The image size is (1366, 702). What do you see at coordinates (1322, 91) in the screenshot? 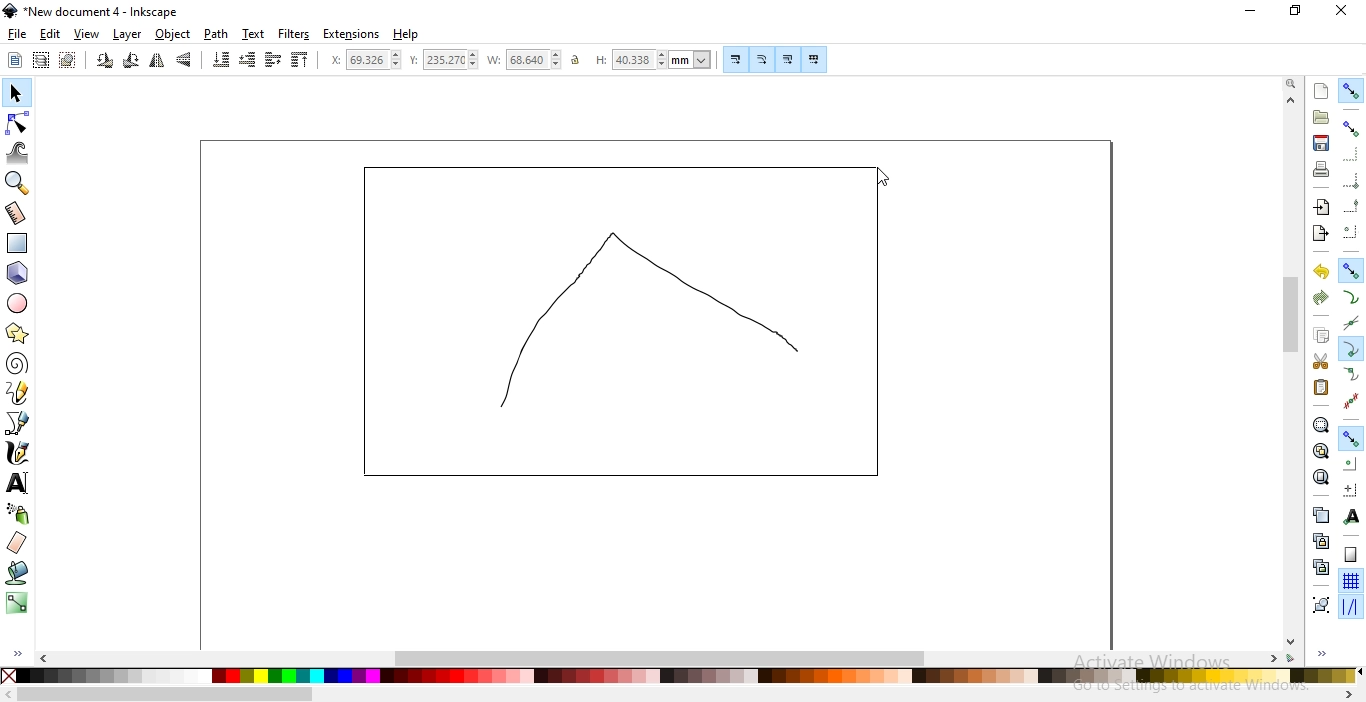
I see `create a document` at bounding box center [1322, 91].